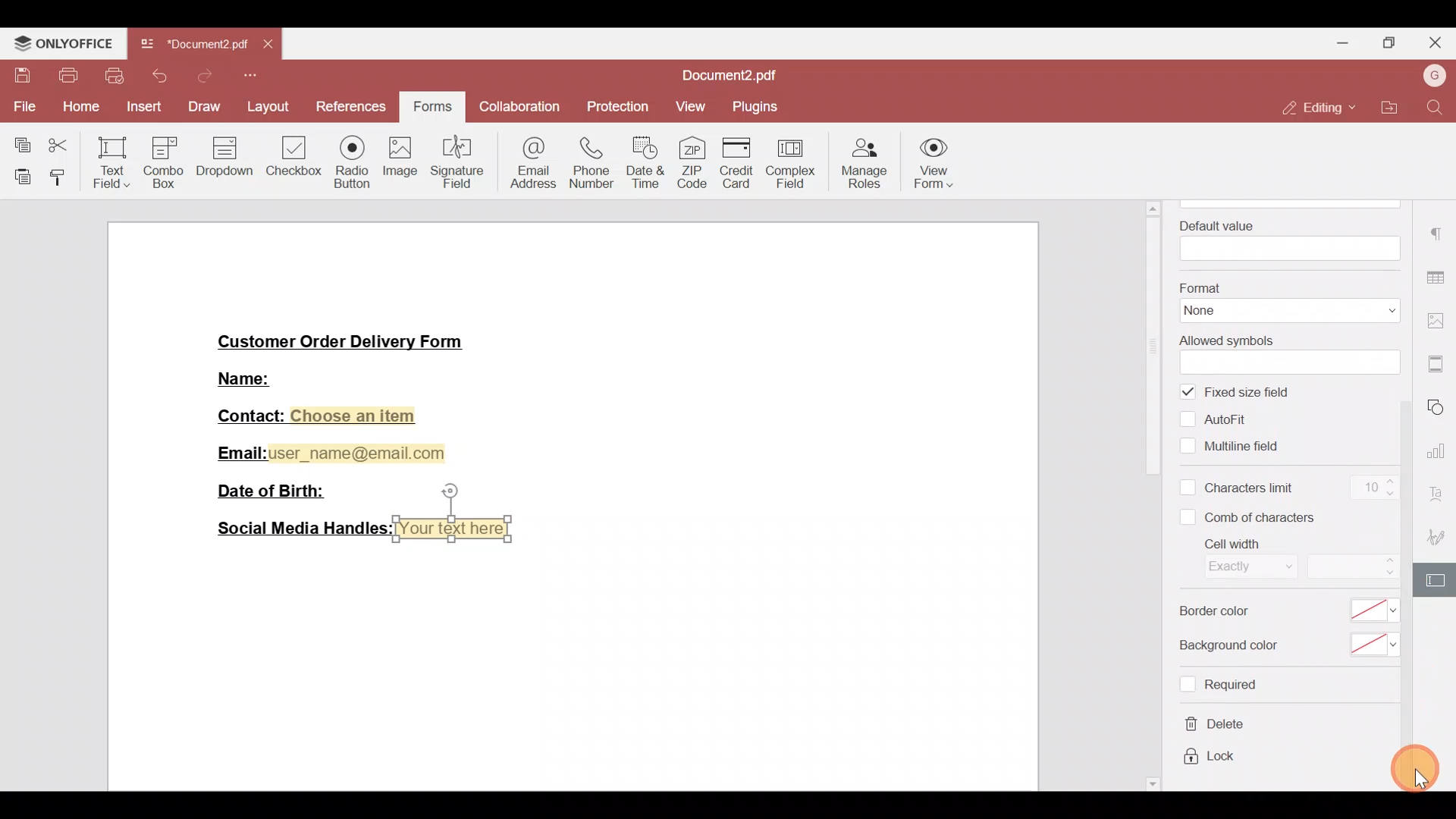 The height and width of the screenshot is (819, 1456). Describe the element at coordinates (1385, 105) in the screenshot. I see `Open file location` at that location.